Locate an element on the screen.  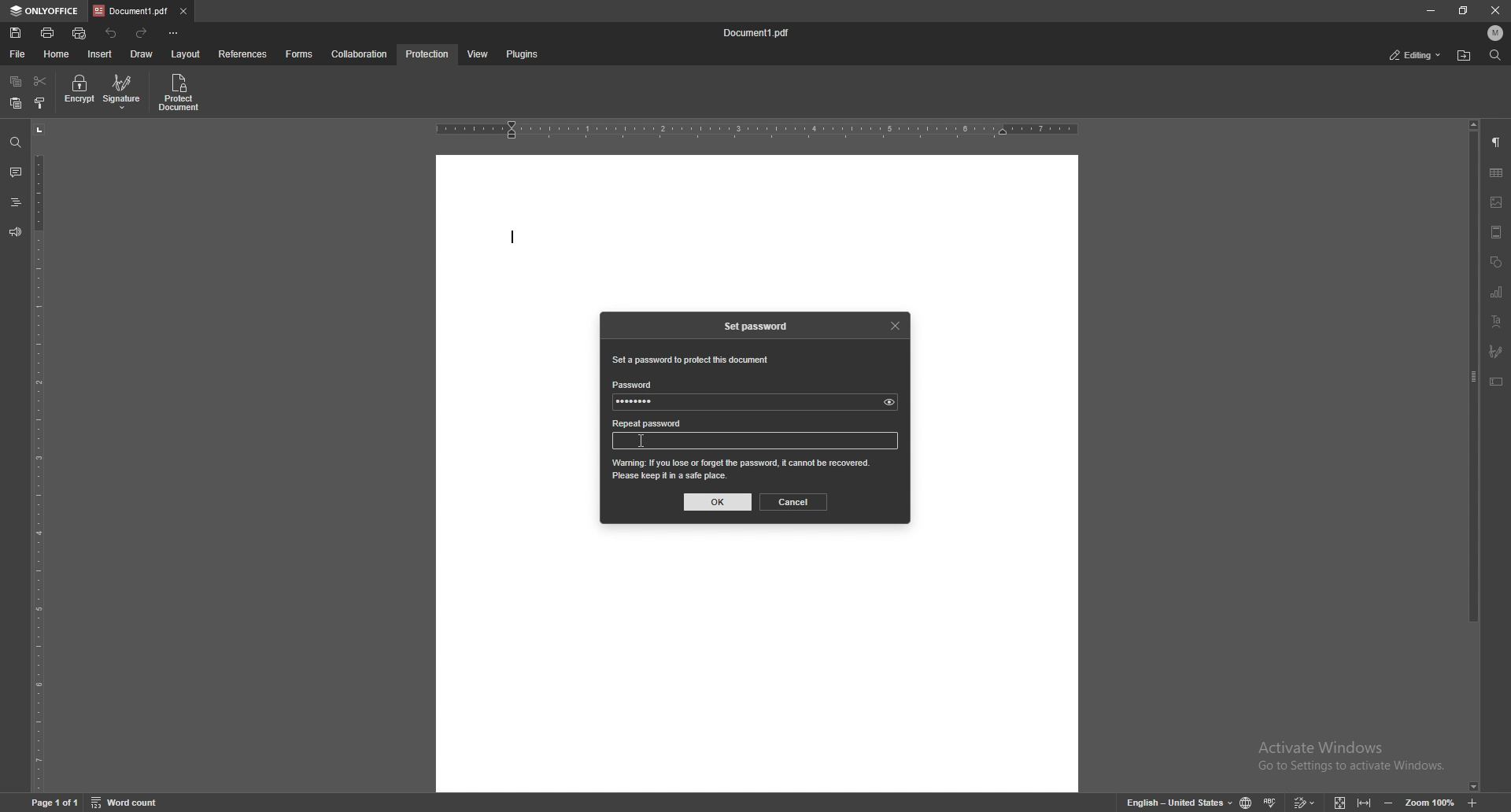
cut is located at coordinates (39, 80).